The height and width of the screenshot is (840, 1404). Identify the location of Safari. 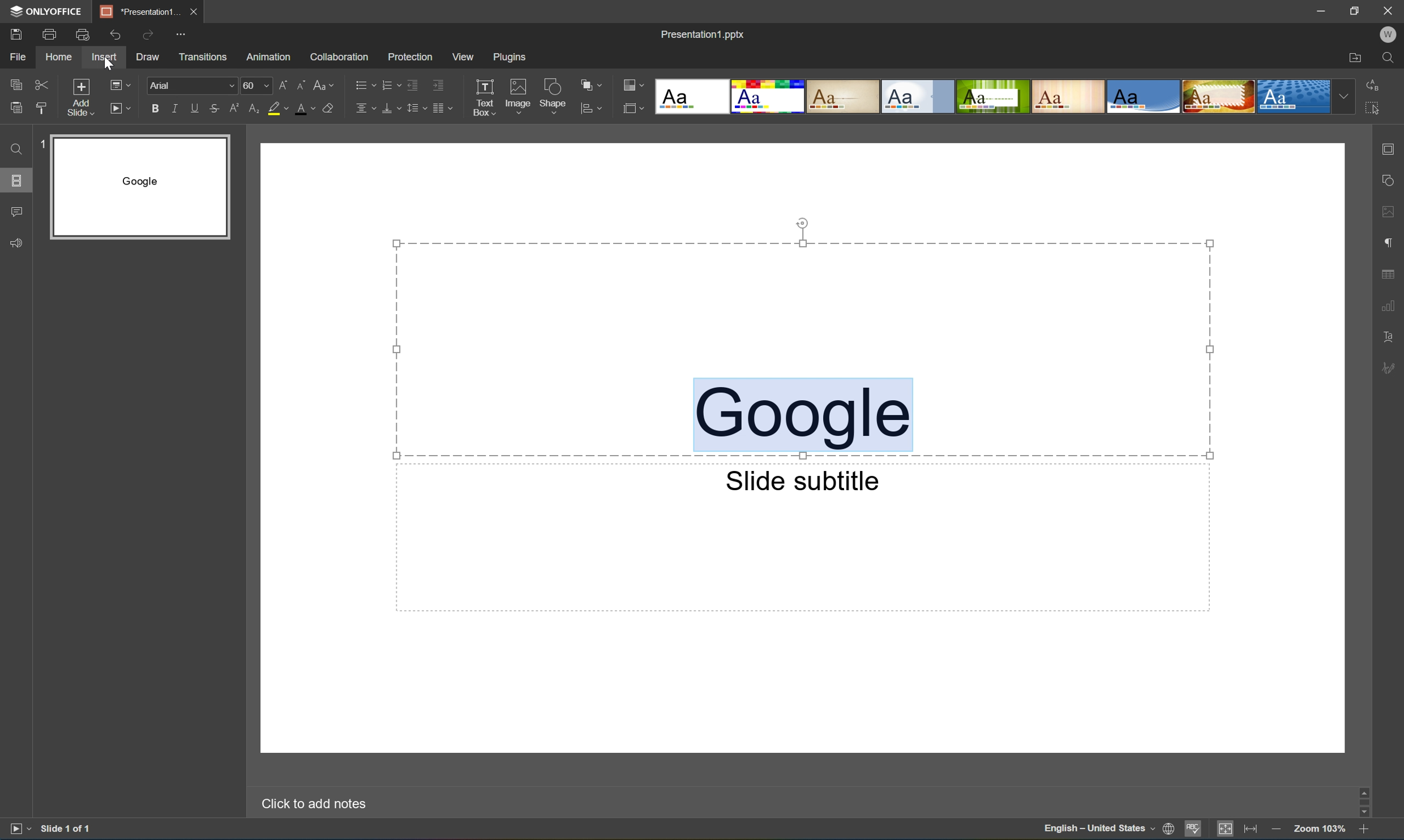
(1219, 98).